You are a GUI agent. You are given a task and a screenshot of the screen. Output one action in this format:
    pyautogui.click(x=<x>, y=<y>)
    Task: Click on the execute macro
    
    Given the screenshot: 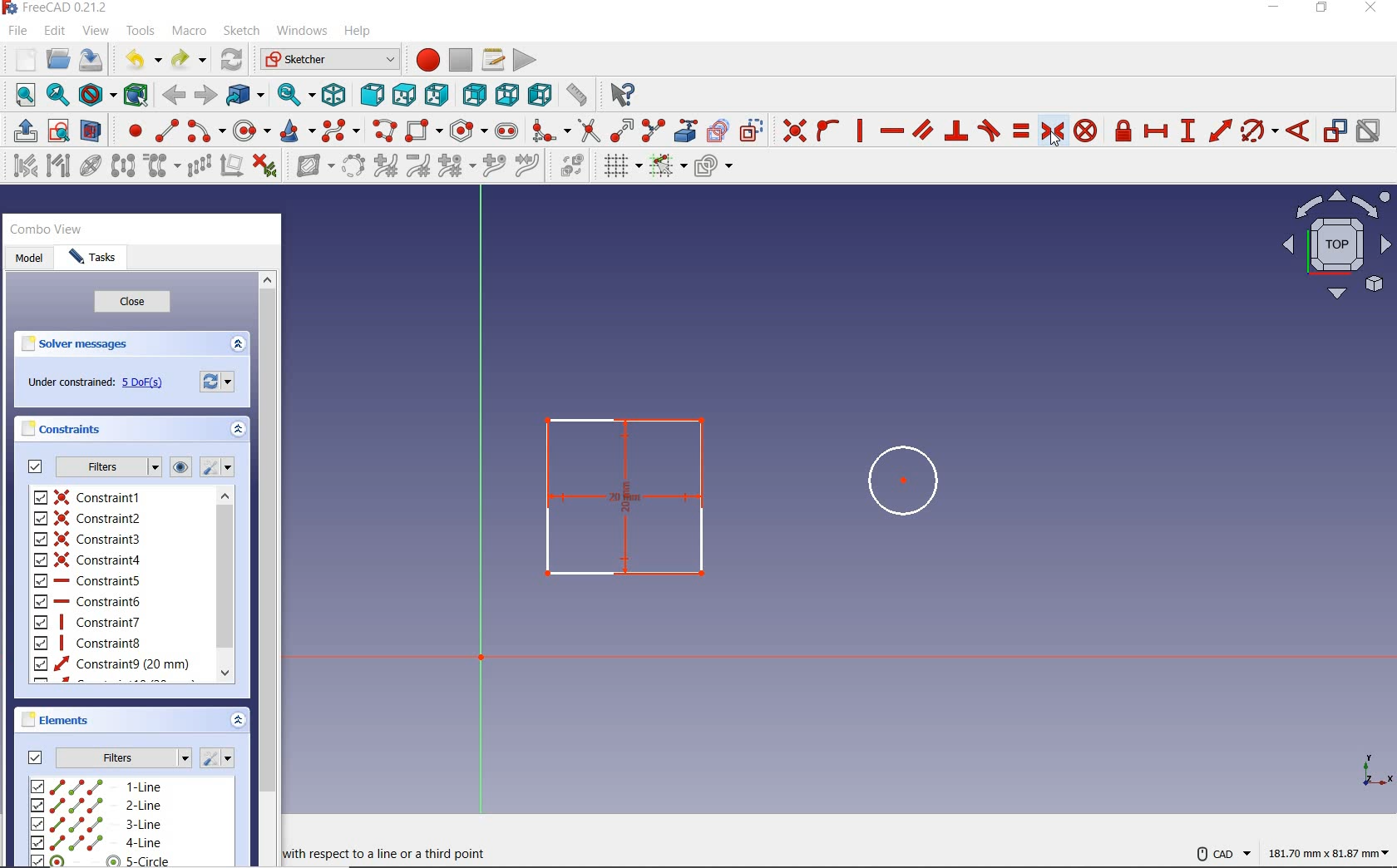 What is the action you would take?
    pyautogui.click(x=525, y=62)
    